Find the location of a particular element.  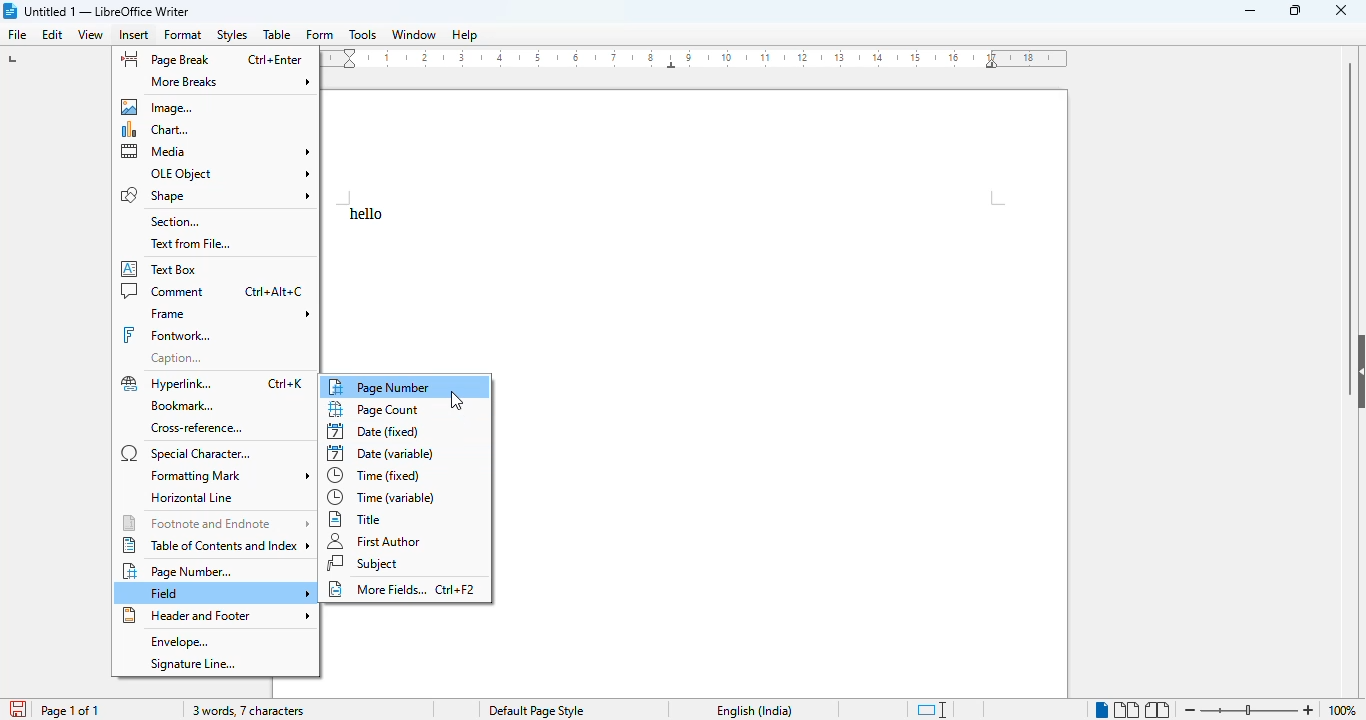

edit is located at coordinates (53, 34).